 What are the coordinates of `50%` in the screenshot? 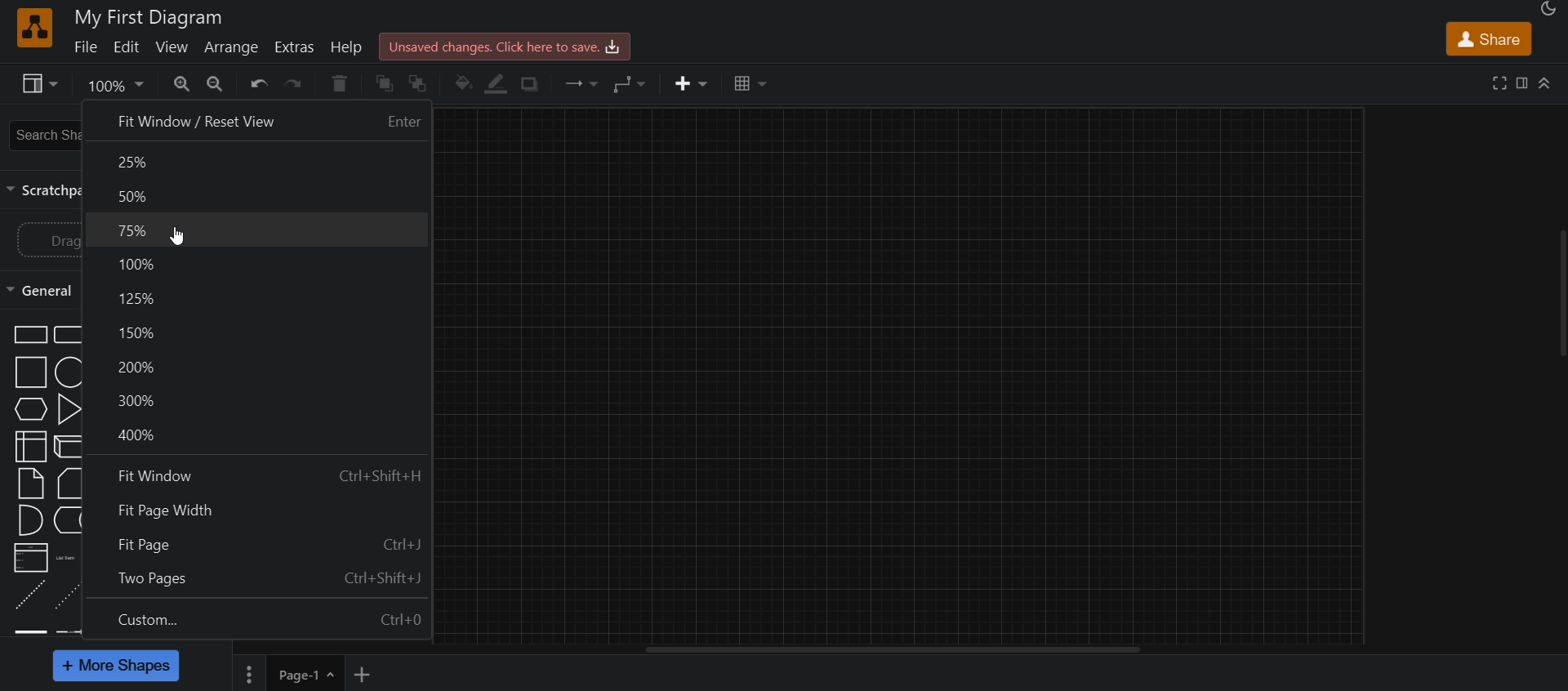 It's located at (255, 196).